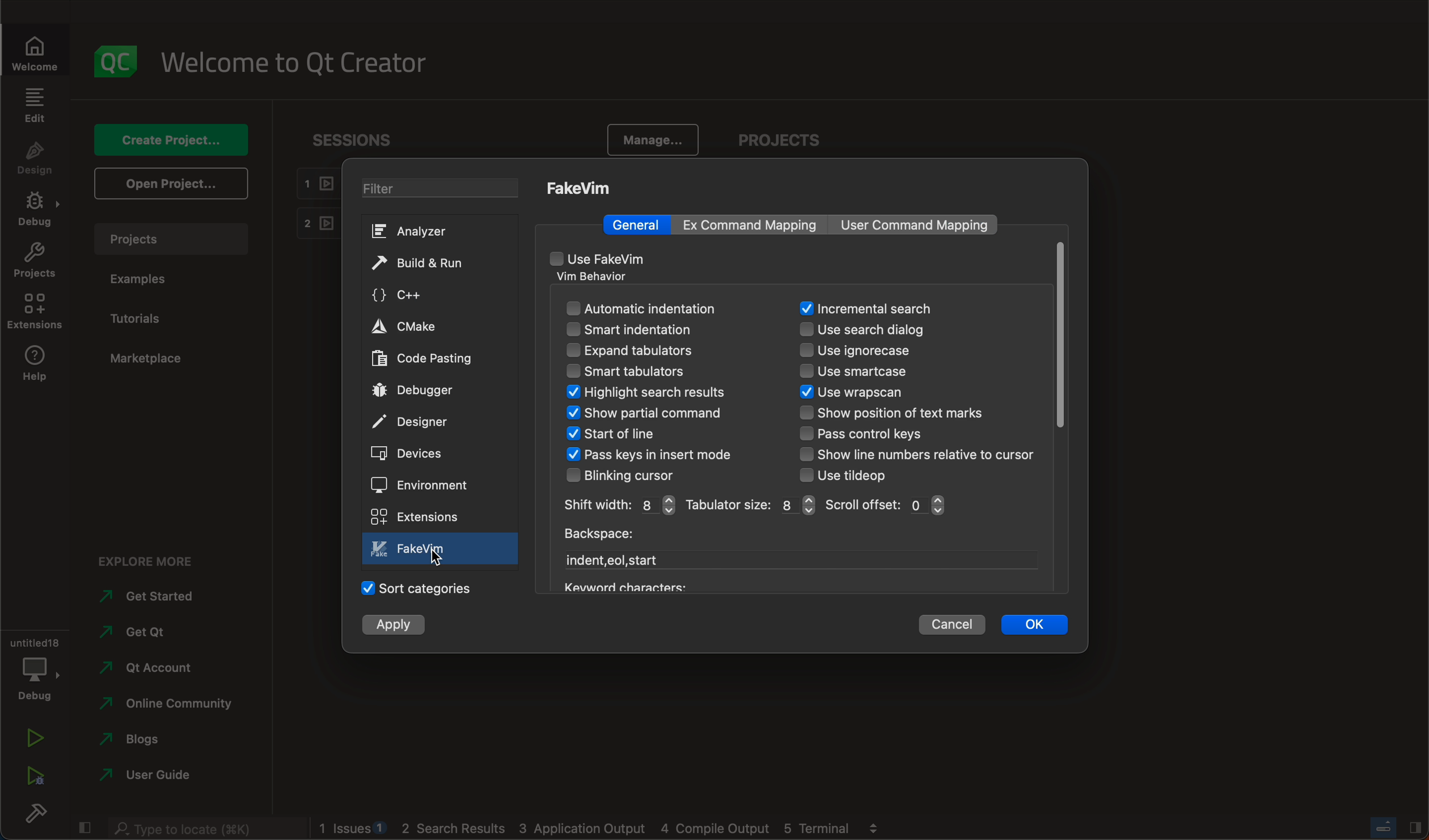 This screenshot has width=1429, height=840. Describe the element at coordinates (158, 633) in the screenshot. I see `qt` at that location.